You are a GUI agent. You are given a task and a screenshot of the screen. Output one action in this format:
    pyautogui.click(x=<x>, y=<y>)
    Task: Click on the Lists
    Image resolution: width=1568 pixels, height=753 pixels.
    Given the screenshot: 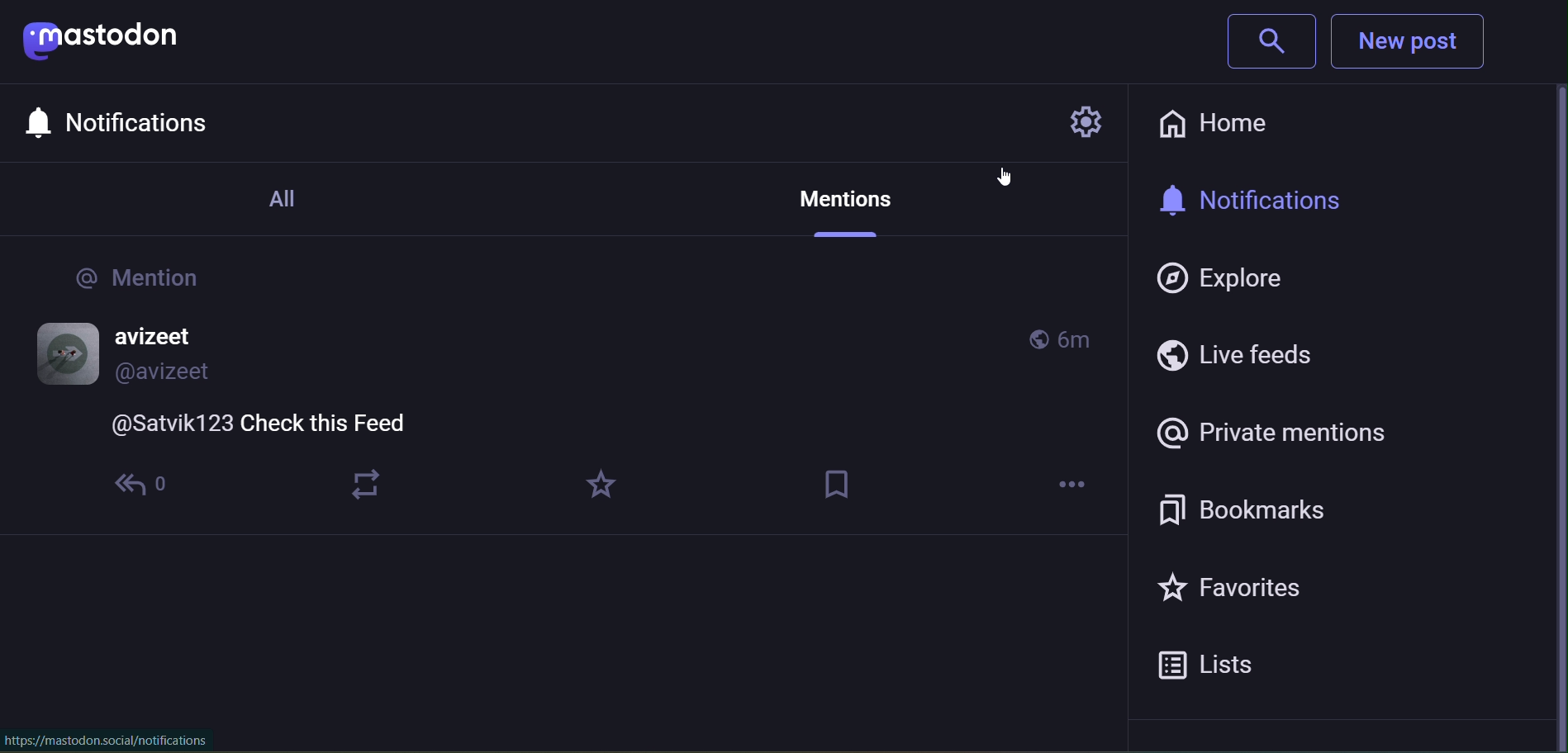 What is the action you would take?
    pyautogui.click(x=1215, y=661)
    